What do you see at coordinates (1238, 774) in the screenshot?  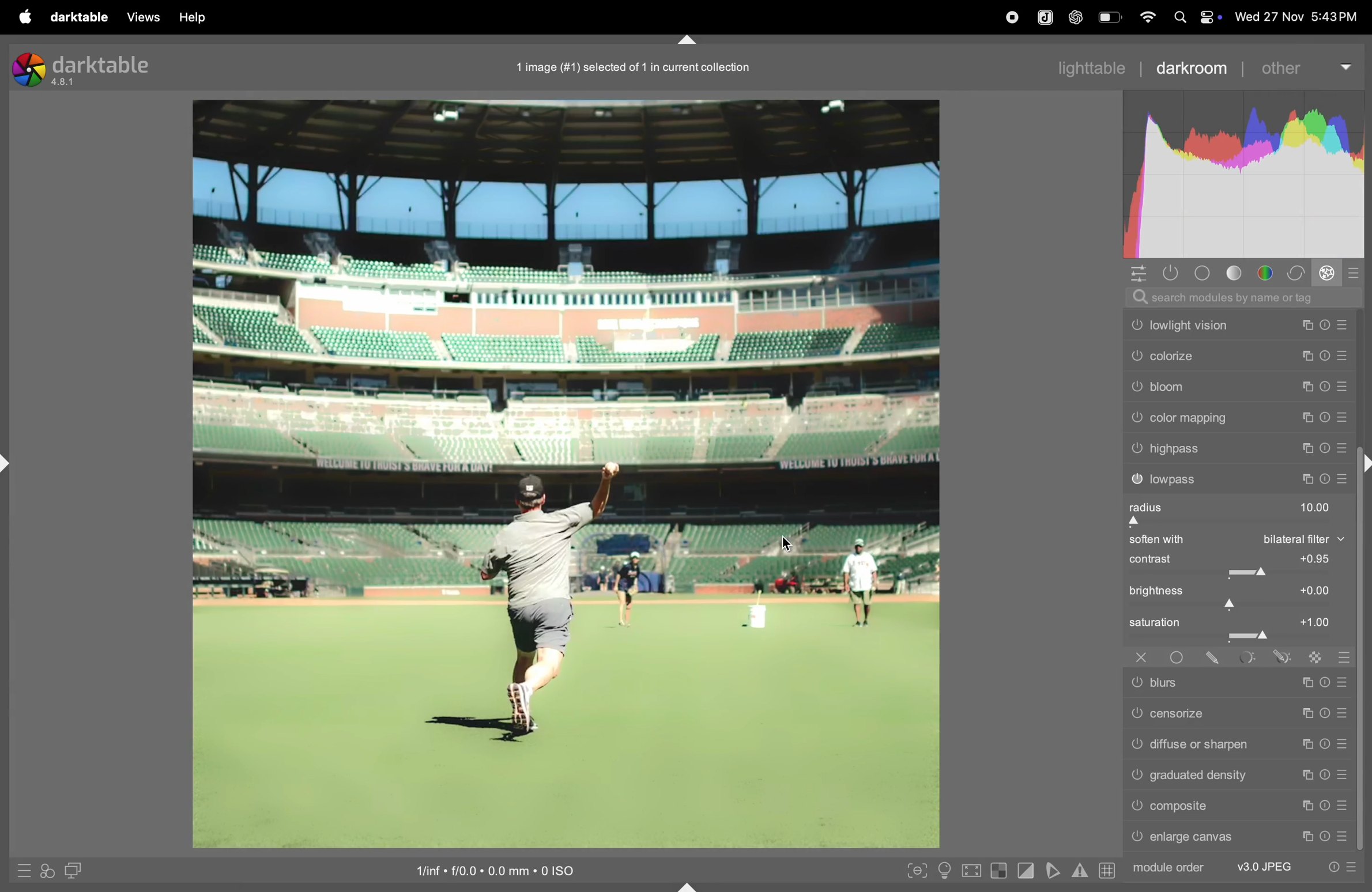 I see `gradient density` at bounding box center [1238, 774].